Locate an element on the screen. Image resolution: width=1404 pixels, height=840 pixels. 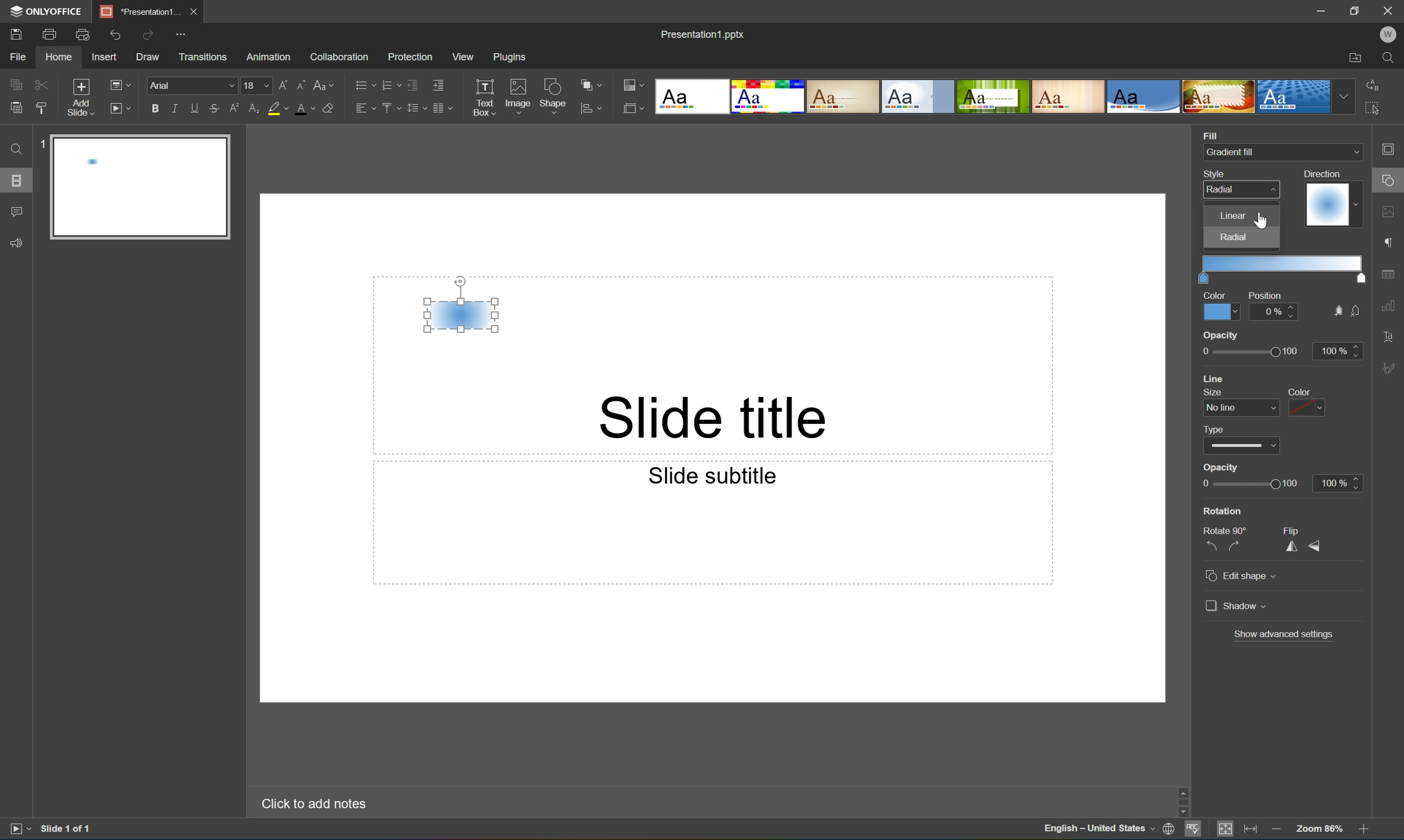
opacity slider is located at coordinates (1244, 352).